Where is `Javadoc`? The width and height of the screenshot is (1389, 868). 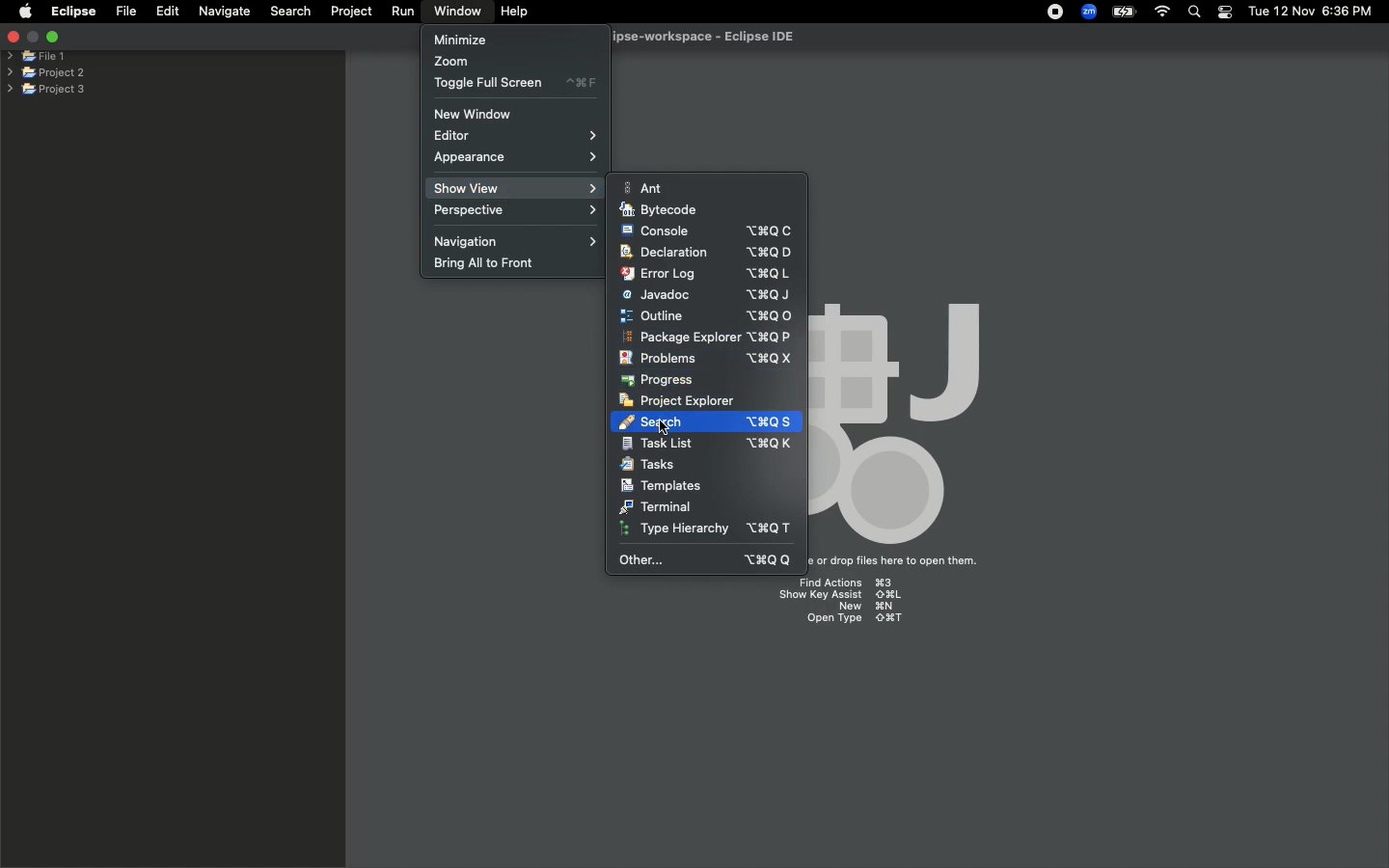 Javadoc is located at coordinates (706, 295).